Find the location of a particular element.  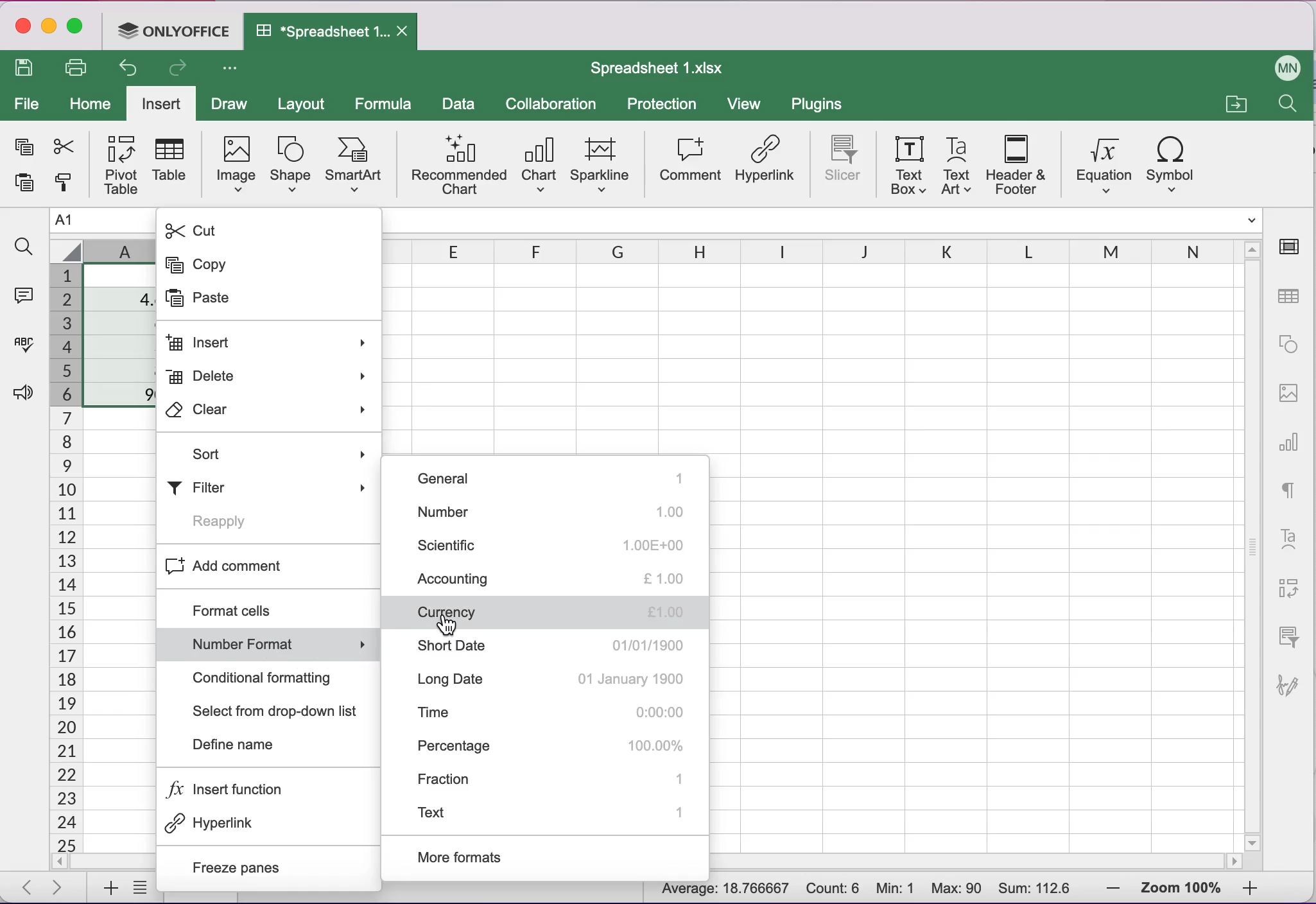

Format cells is located at coordinates (269, 608).